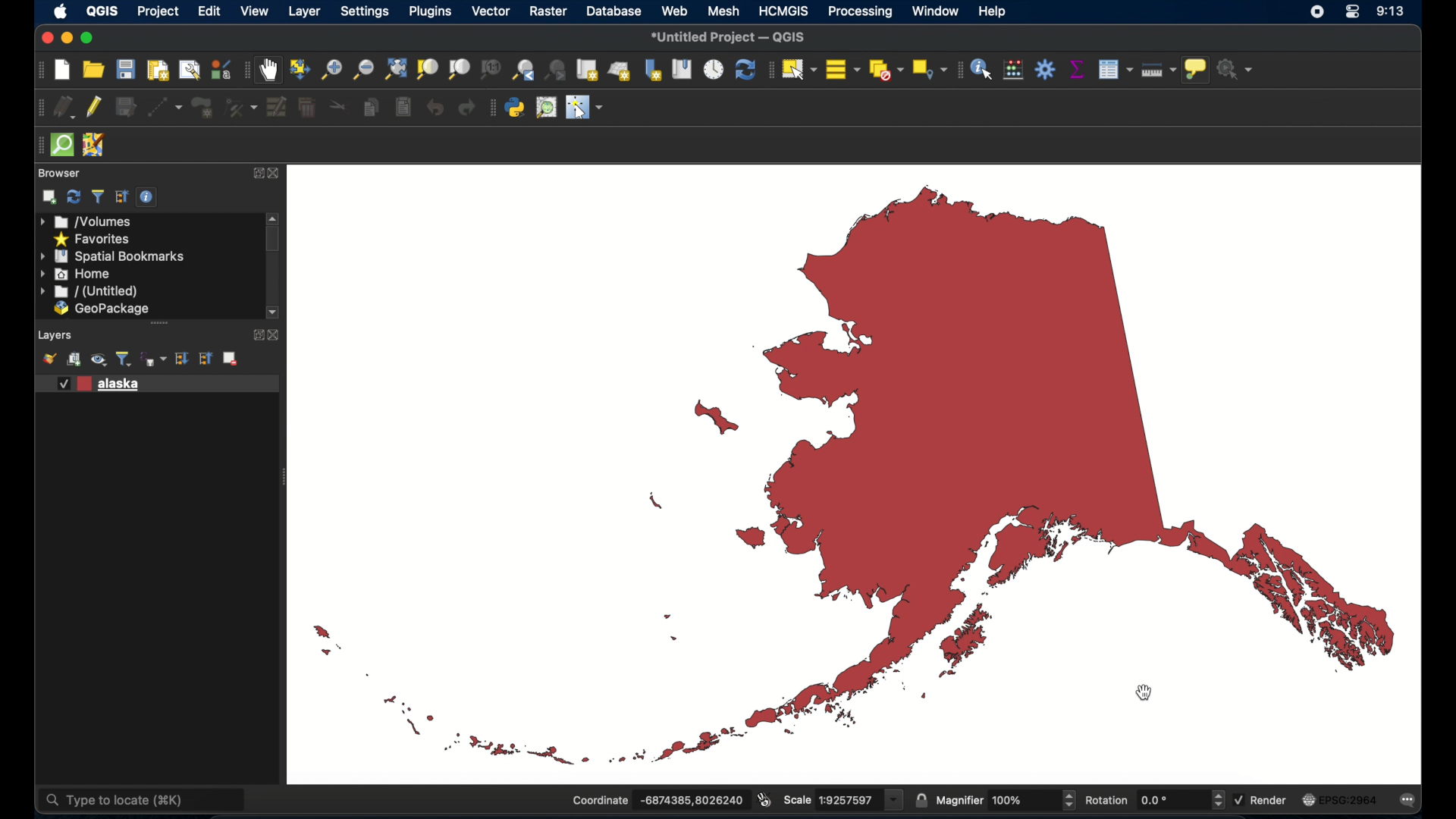 The image size is (1456, 819). Describe the element at coordinates (97, 196) in the screenshot. I see `filter browser` at that location.